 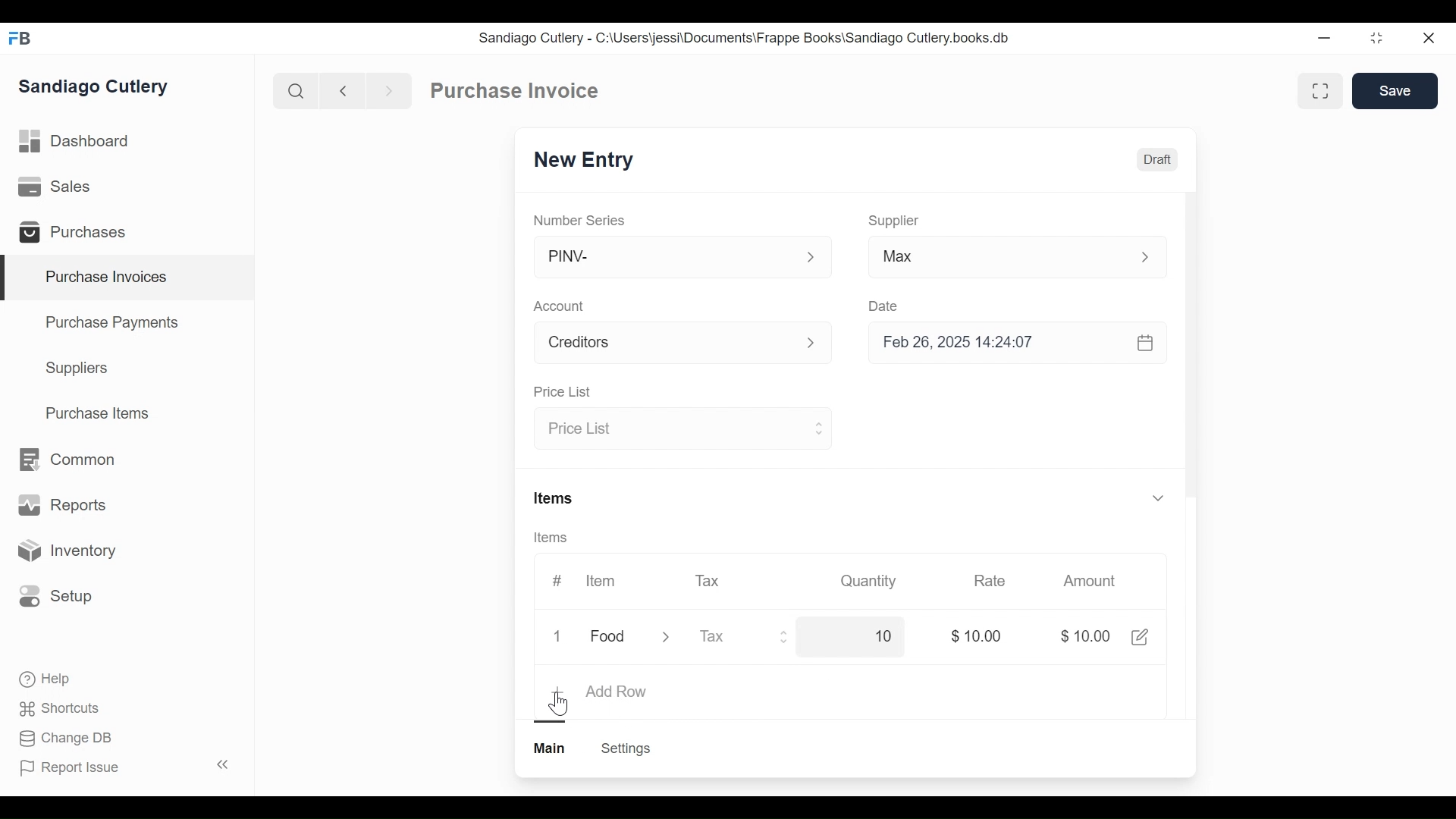 I want to click on Draft, so click(x=1158, y=162).